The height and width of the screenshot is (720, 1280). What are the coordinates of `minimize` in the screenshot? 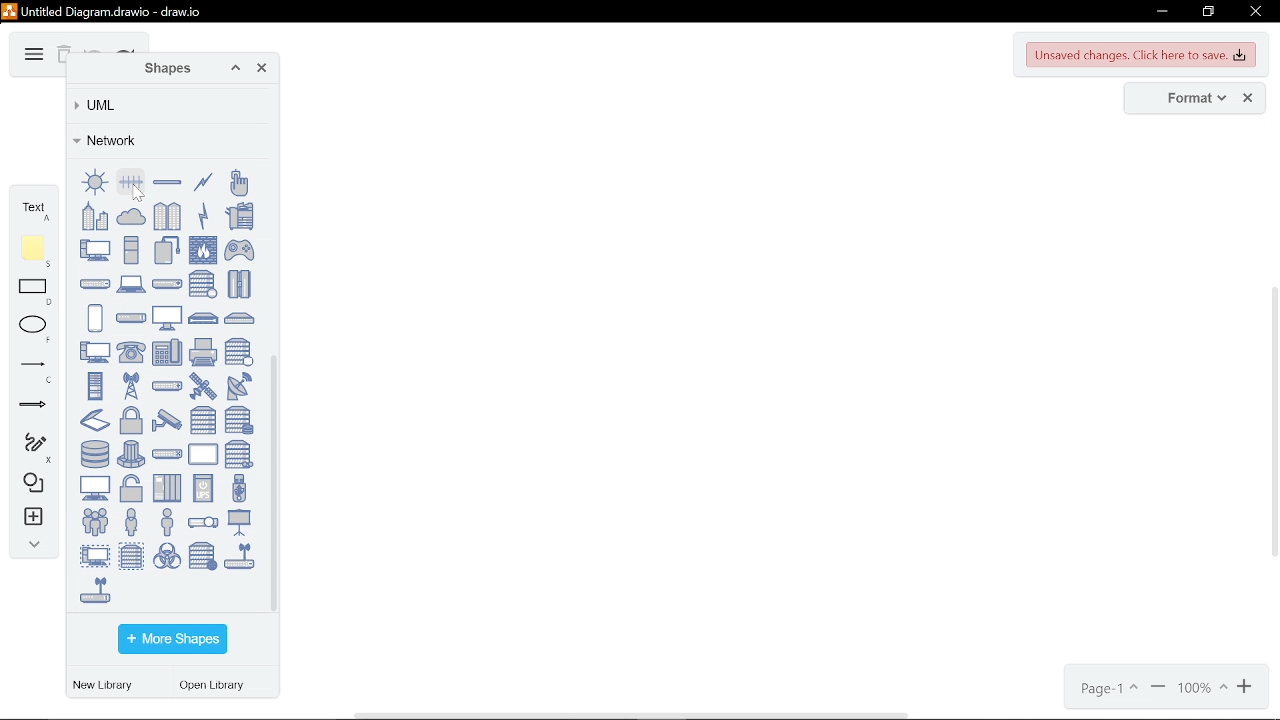 It's located at (1160, 12).